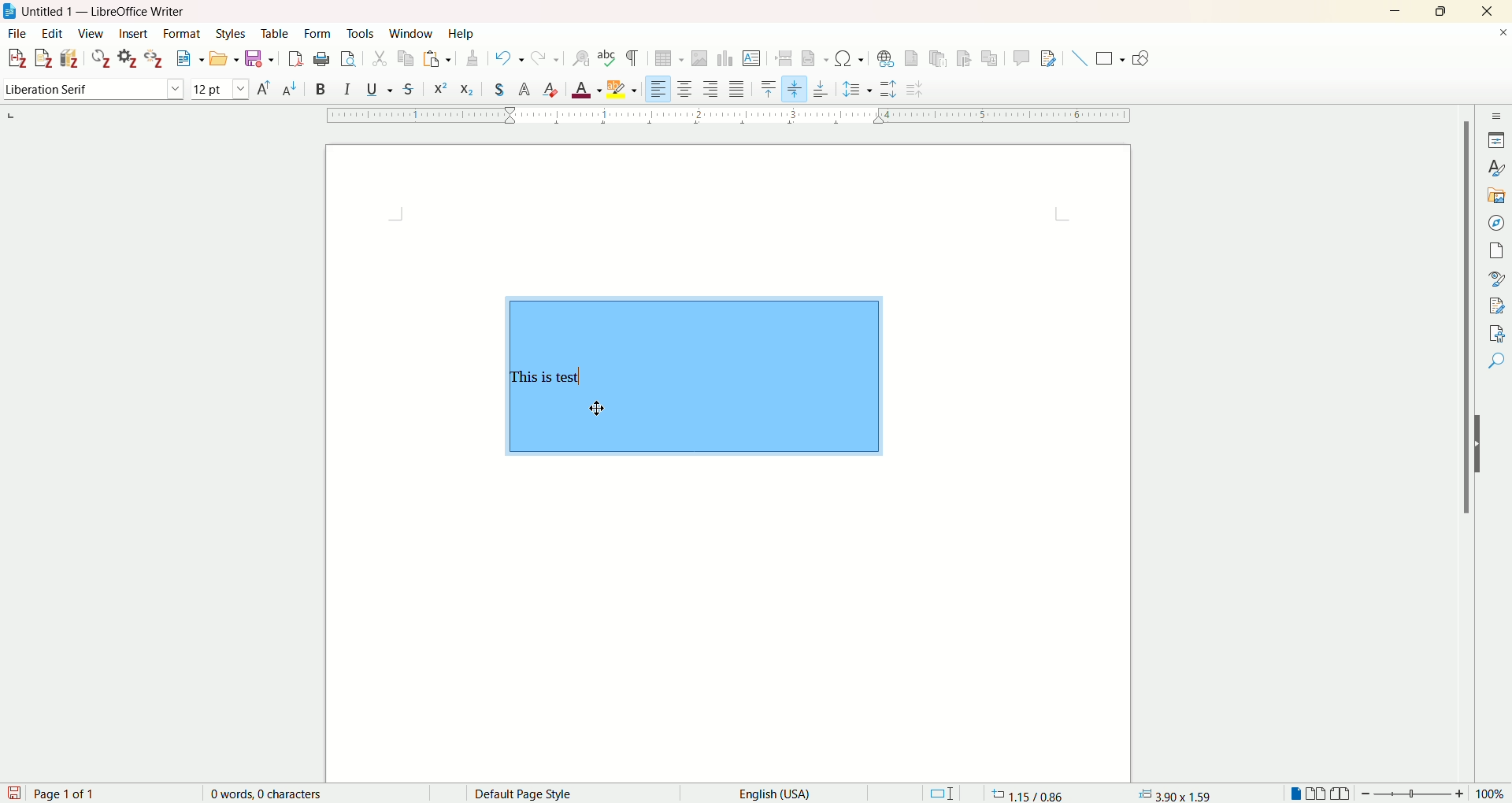  I want to click on cursor, so click(596, 409).